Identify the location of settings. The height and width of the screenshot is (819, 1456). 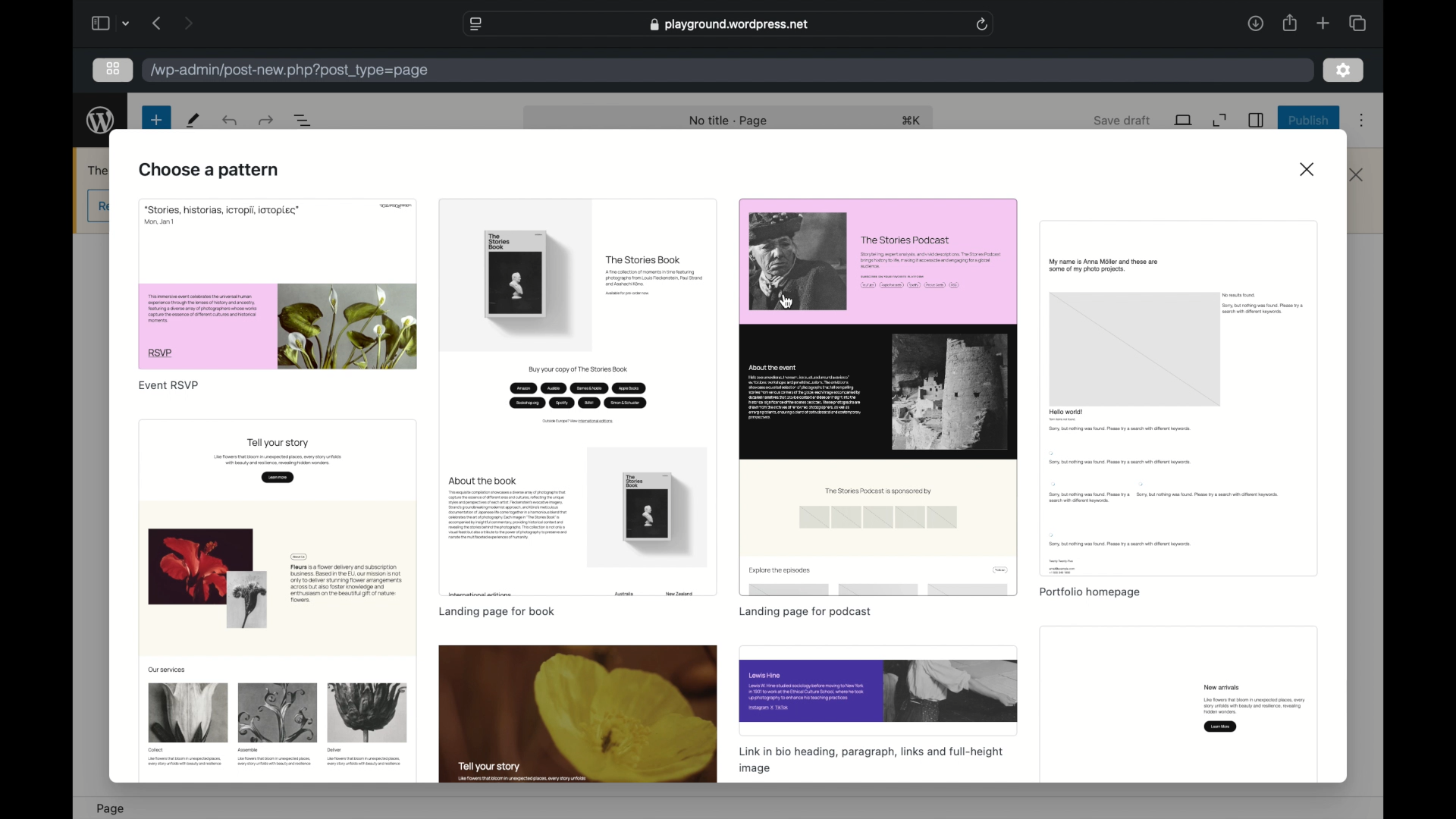
(1344, 69).